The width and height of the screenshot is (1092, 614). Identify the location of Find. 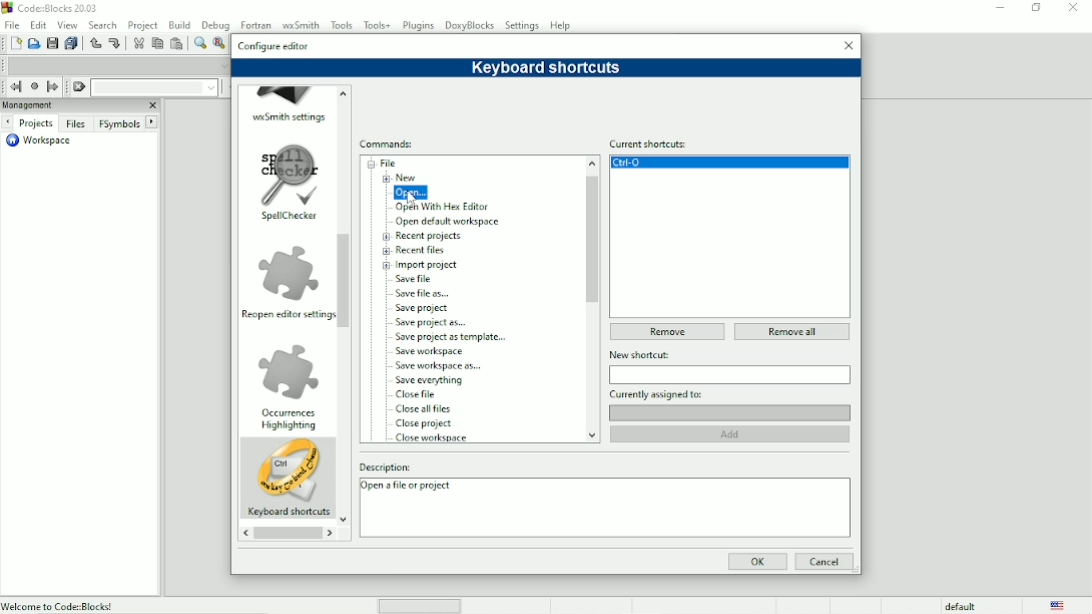
(199, 43).